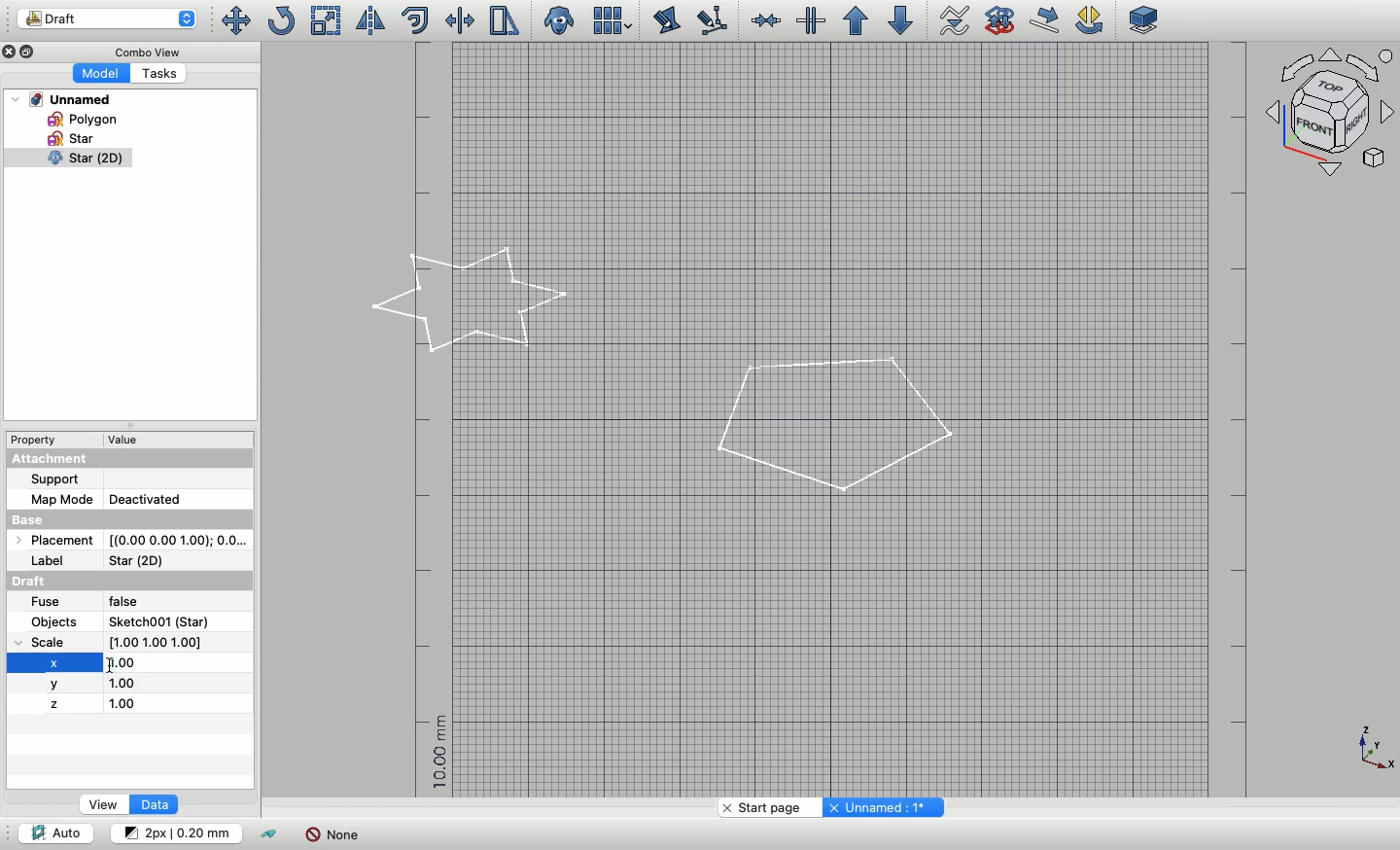 This screenshot has width=1400, height=850. I want to click on Draft, so click(107, 18).